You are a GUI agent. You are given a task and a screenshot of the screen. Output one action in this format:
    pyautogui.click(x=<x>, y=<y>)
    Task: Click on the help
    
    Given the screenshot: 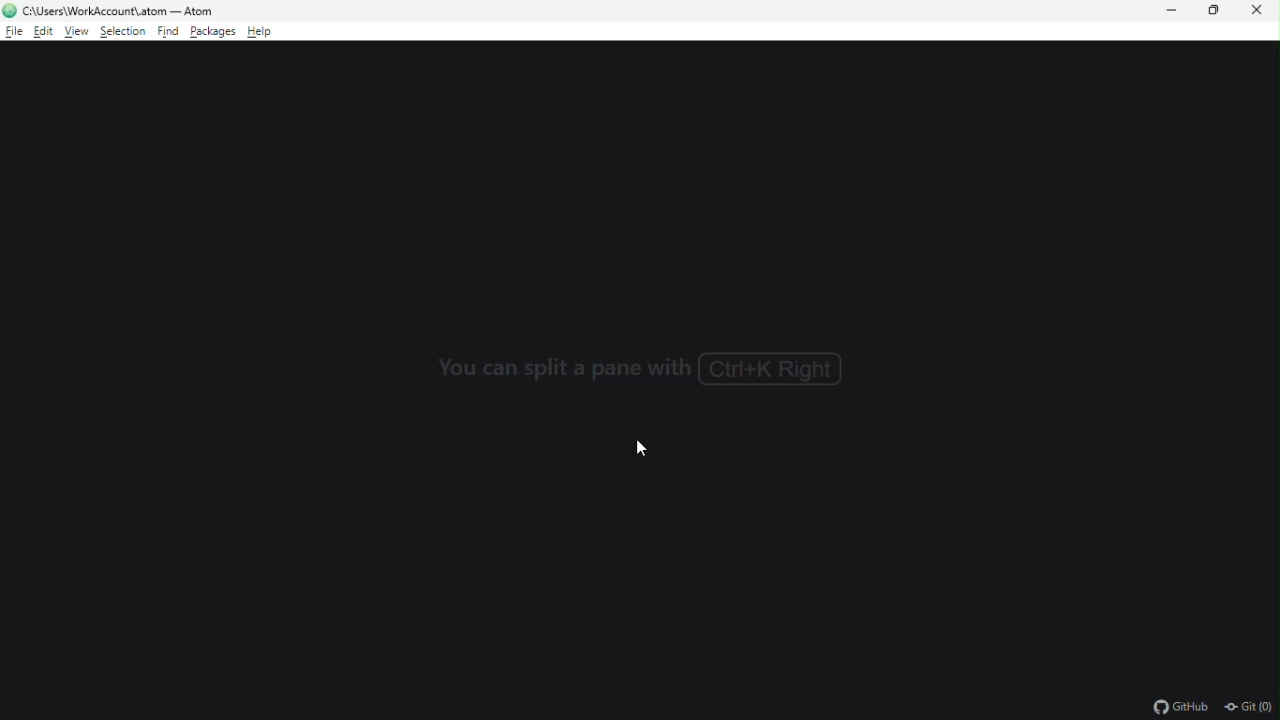 What is the action you would take?
    pyautogui.click(x=266, y=31)
    